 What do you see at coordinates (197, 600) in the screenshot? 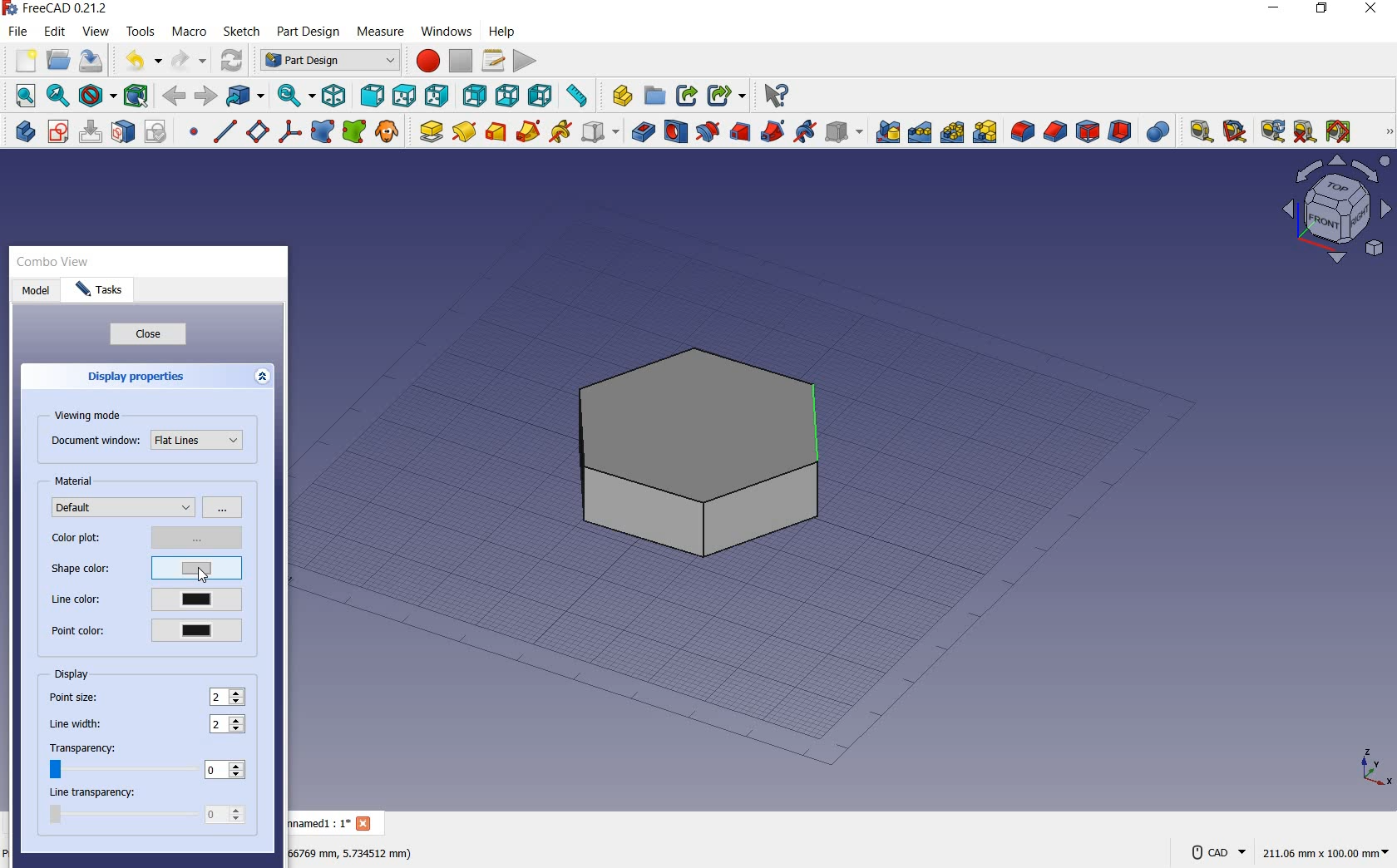
I see `current line color` at bounding box center [197, 600].